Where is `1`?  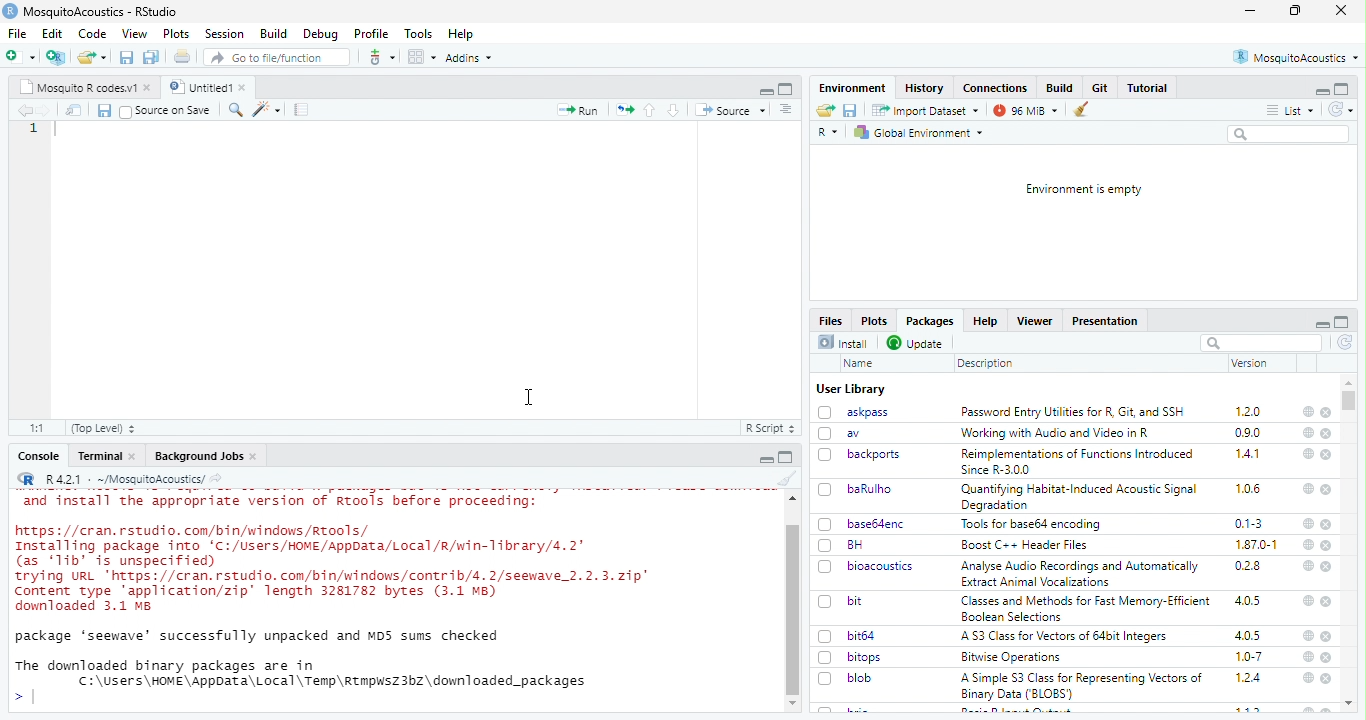 1 is located at coordinates (34, 128).